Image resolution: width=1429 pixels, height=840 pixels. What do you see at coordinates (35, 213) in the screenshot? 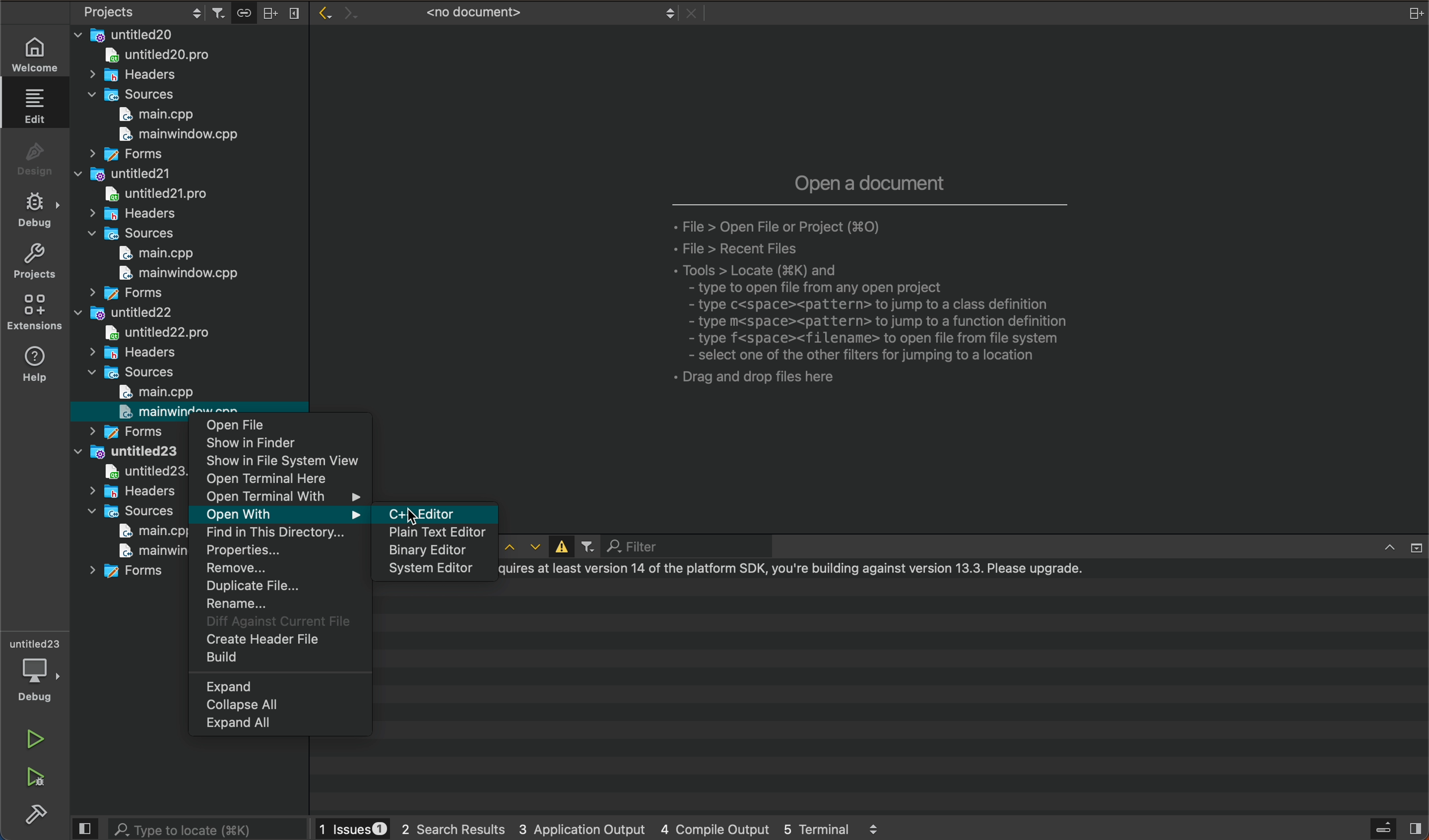
I see `debug` at bounding box center [35, 213].